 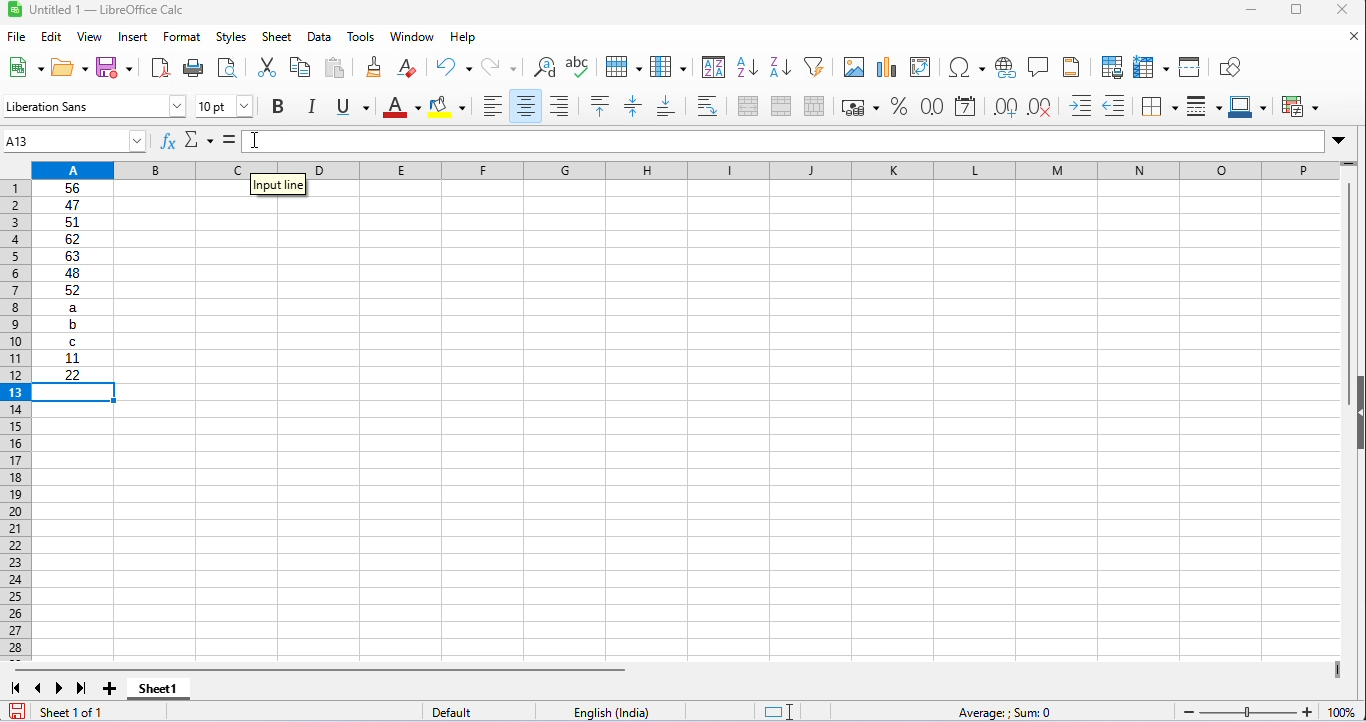 I want to click on format as percent, so click(x=899, y=106).